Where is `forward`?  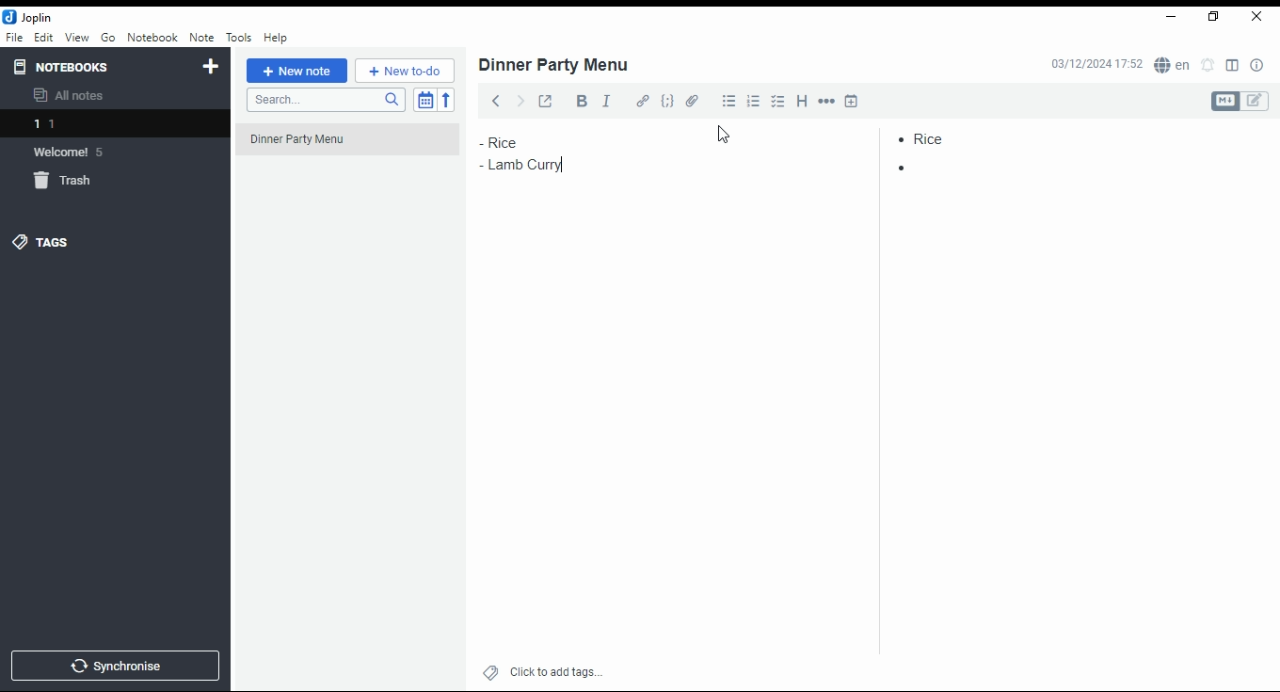
forward is located at coordinates (519, 98).